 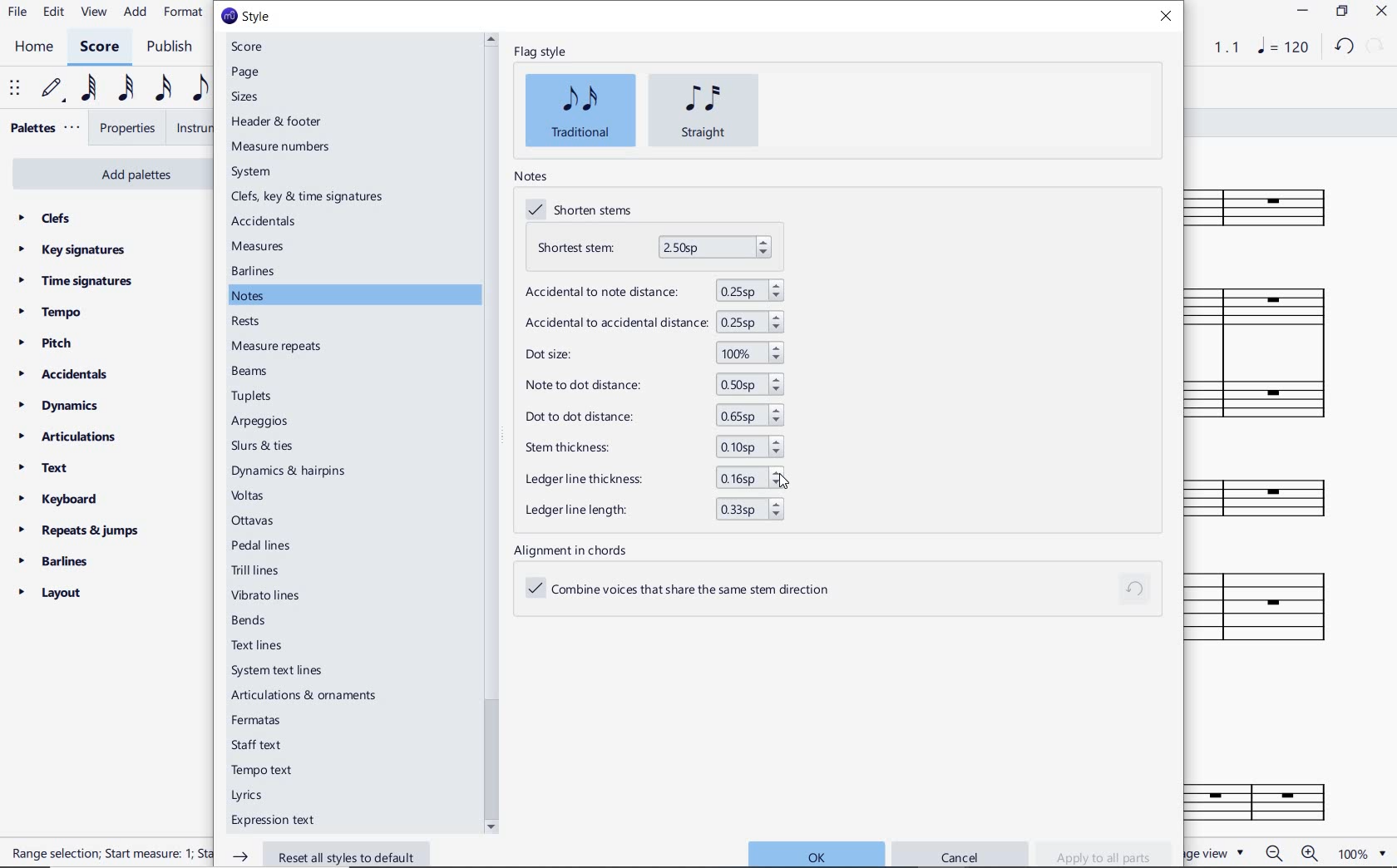 What do you see at coordinates (252, 296) in the screenshot?
I see `notes` at bounding box center [252, 296].